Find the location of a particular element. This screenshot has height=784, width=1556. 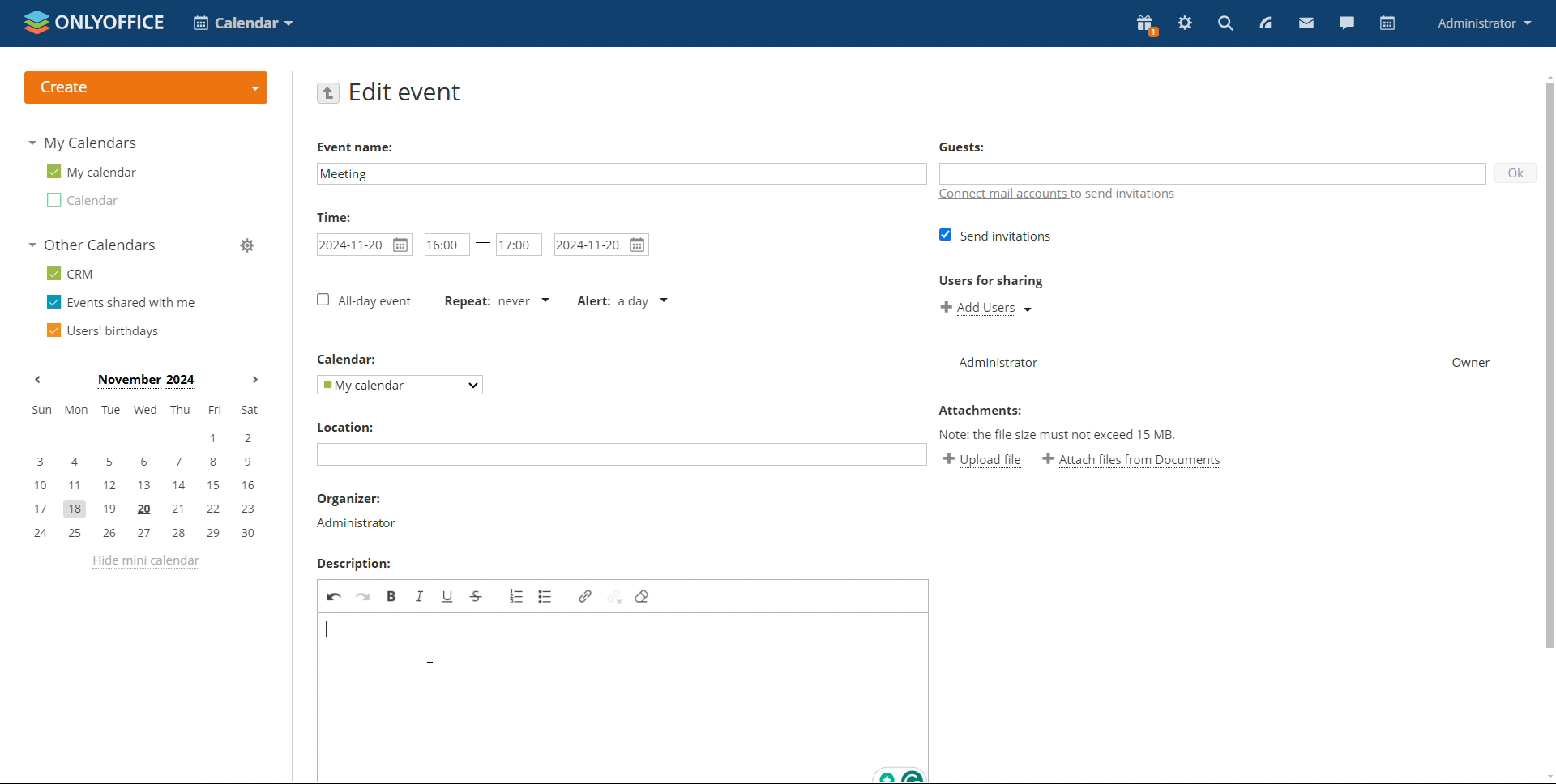

present is located at coordinates (1148, 24).